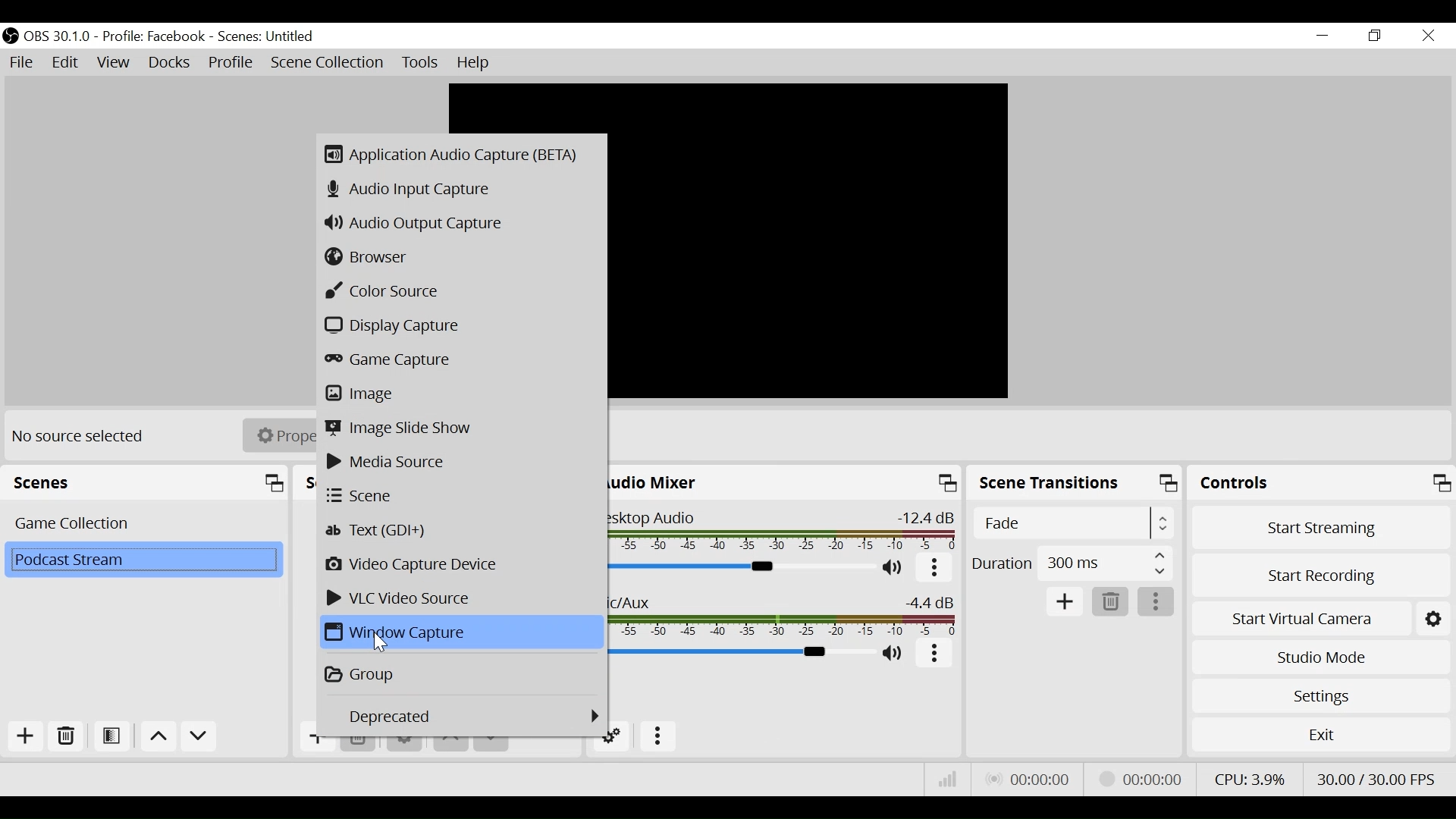  I want to click on minimize, so click(1322, 36).